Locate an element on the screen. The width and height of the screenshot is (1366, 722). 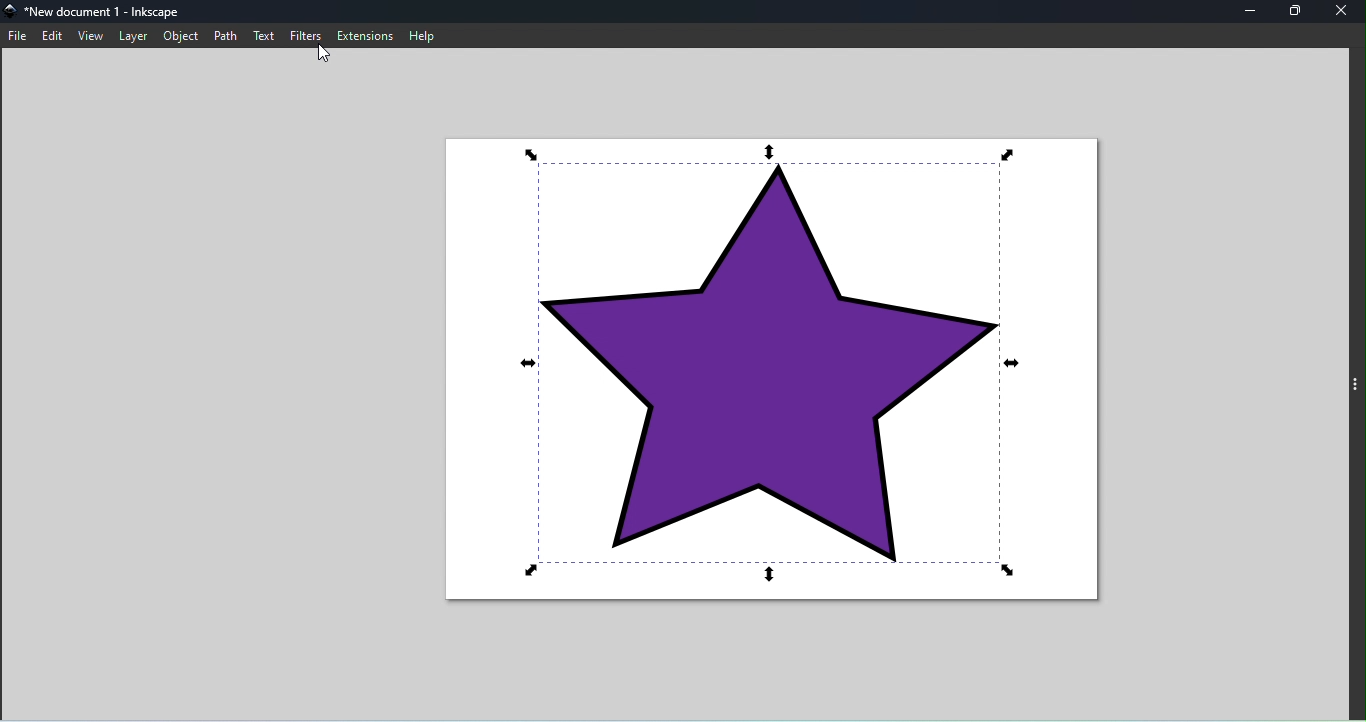
path is located at coordinates (225, 36).